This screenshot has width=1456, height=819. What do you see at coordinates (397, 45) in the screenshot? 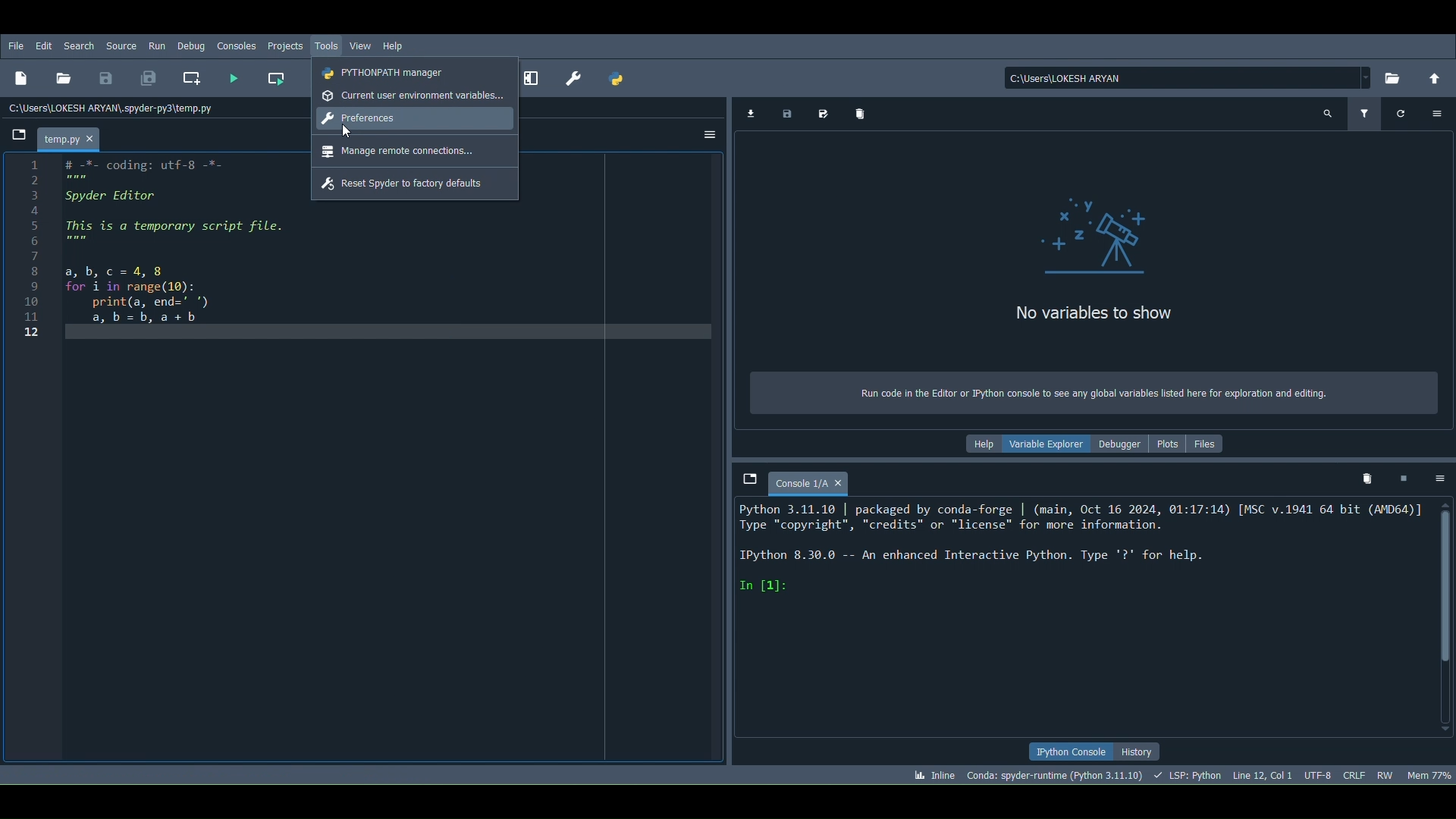
I see `Help` at bounding box center [397, 45].